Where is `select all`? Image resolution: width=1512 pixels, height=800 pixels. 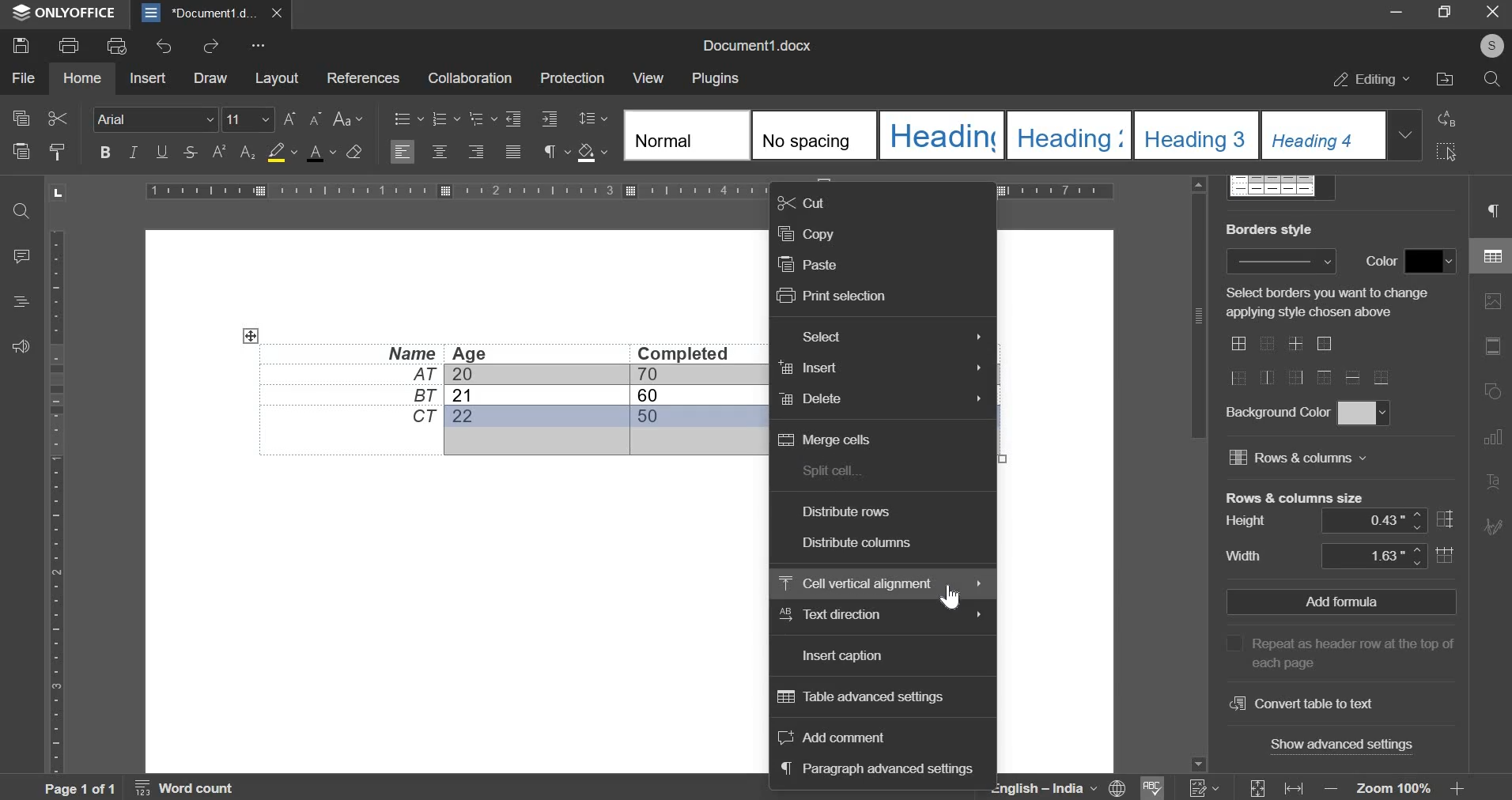 select all is located at coordinates (1448, 153).